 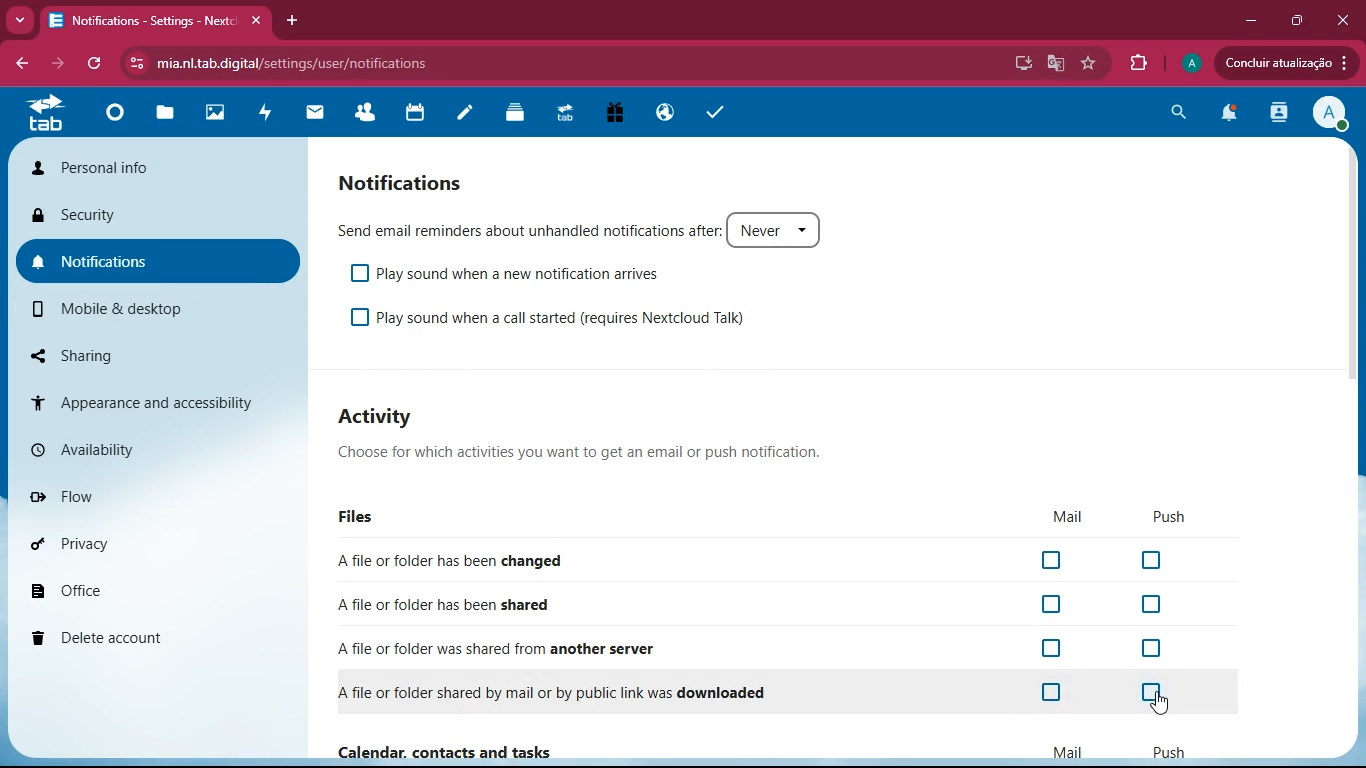 I want to click on activity, so click(x=1279, y=114).